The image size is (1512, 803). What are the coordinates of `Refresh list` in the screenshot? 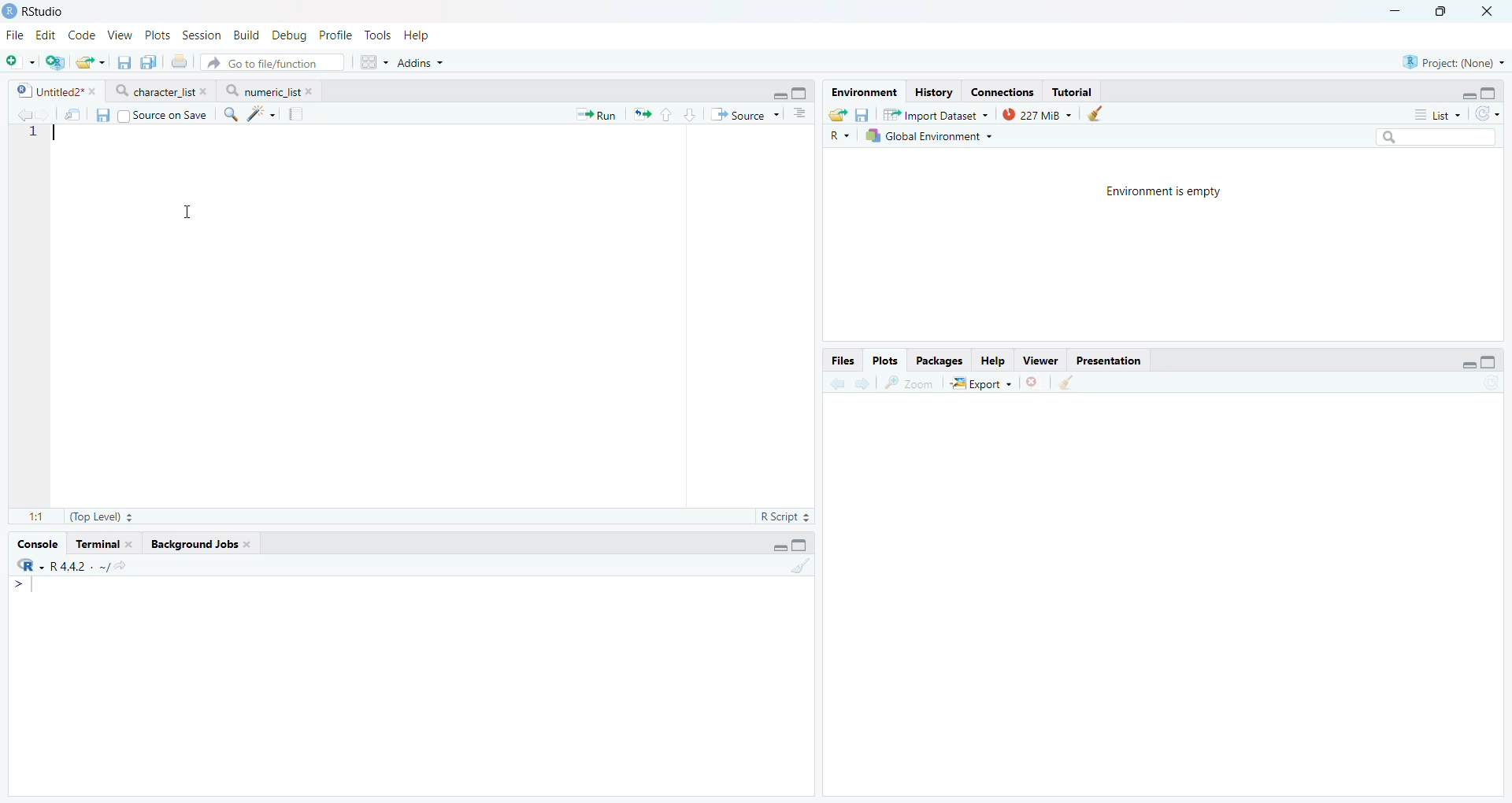 It's located at (1487, 113).